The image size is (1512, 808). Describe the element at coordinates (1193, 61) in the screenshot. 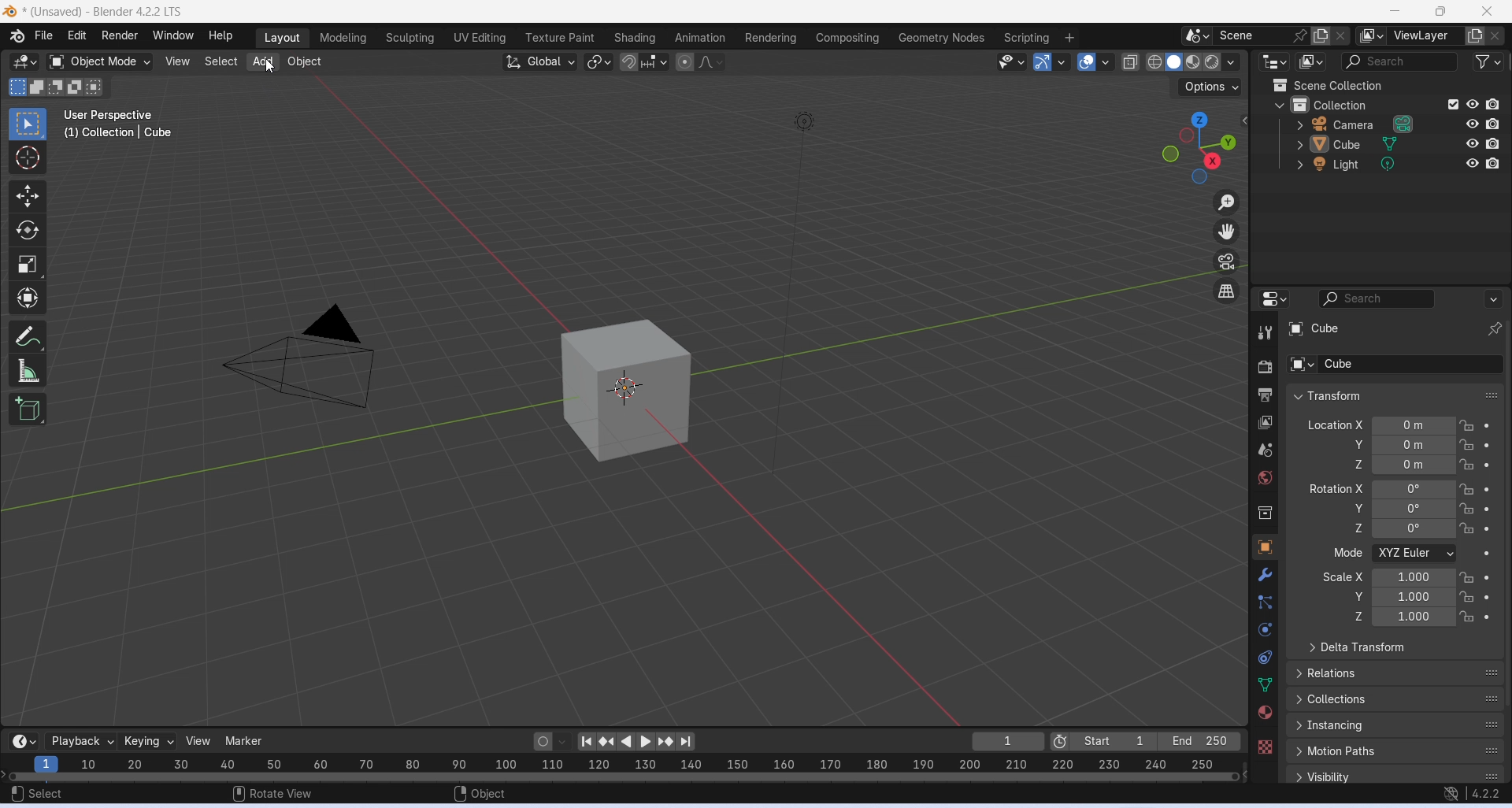

I see `material preview viewport shading` at that location.